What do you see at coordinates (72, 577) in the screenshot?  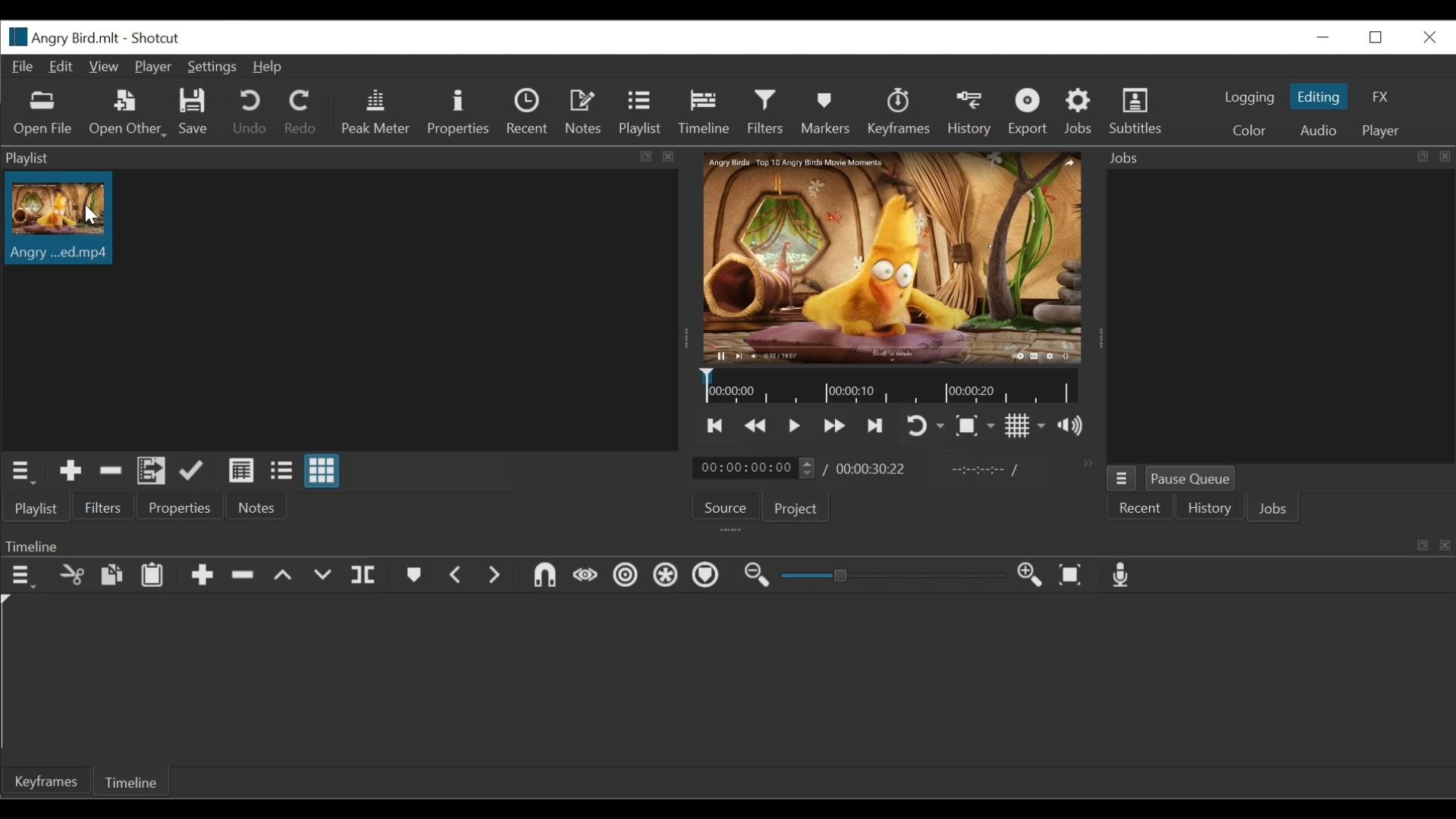 I see `Remove cut` at bounding box center [72, 577].